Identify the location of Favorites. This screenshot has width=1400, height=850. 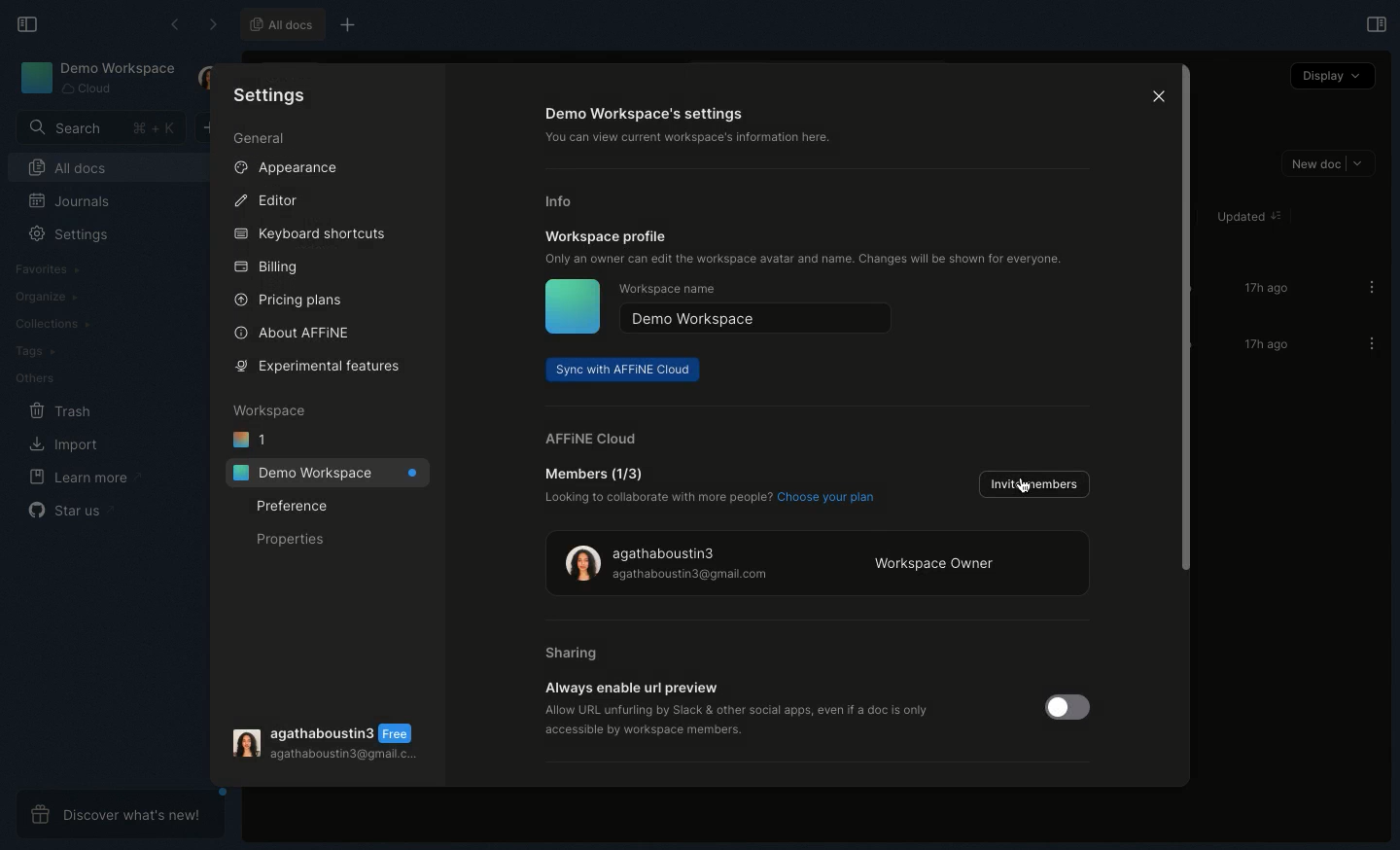
(52, 266).